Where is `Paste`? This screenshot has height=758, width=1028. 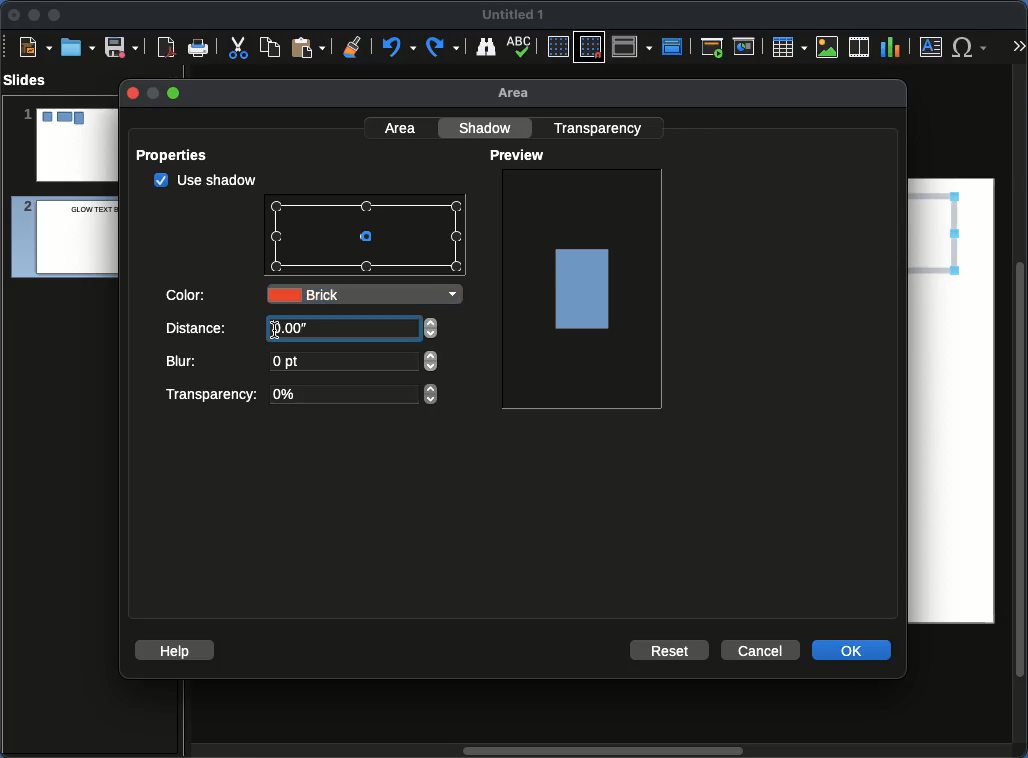
Paste is located at coordinates (308, 46).